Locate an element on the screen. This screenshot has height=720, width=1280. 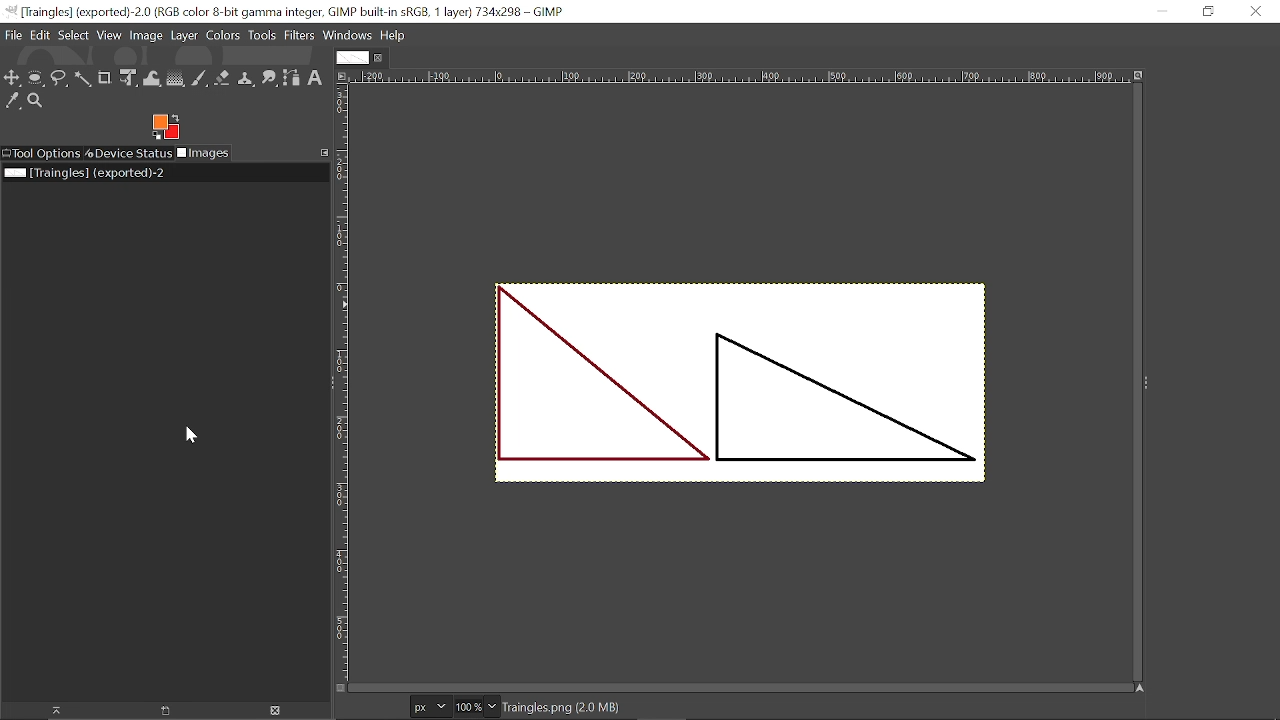
Device status is located at coordinates (129, 153).